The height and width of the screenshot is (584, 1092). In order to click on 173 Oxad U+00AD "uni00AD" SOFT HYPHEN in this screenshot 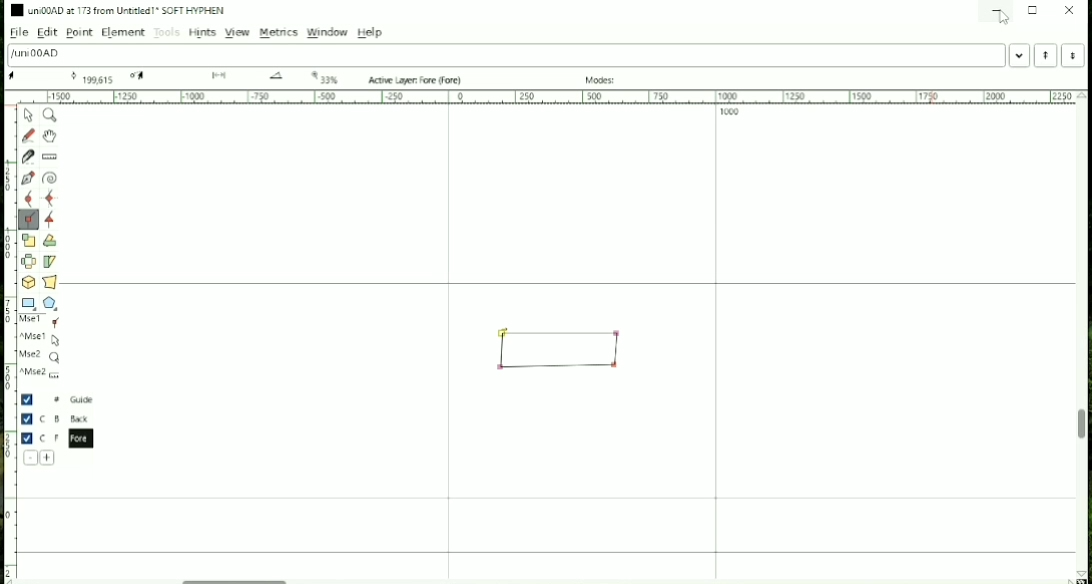, I will do `click(279, 78)`.